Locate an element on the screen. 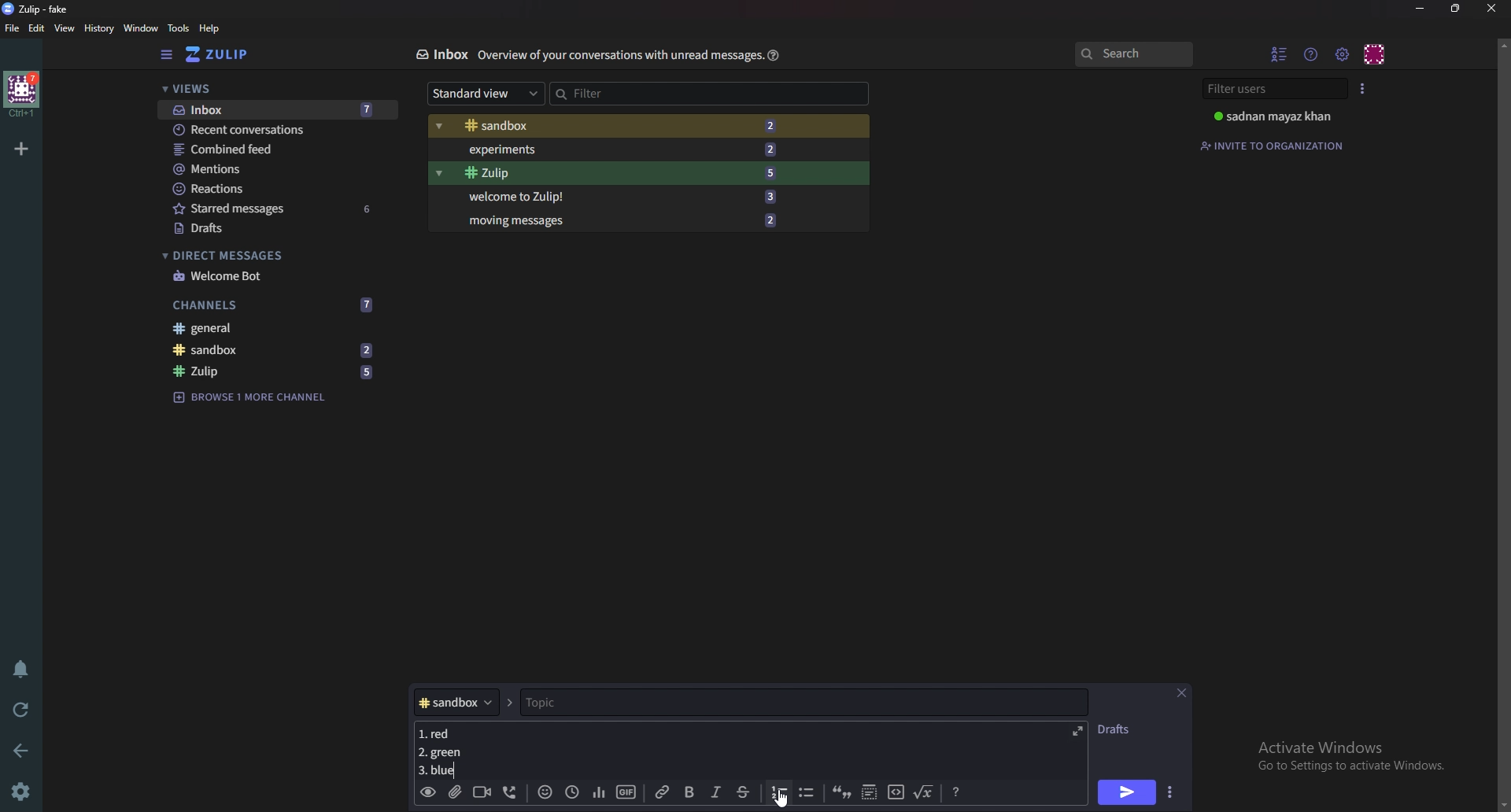  search is located at coordinates (1133, 55).